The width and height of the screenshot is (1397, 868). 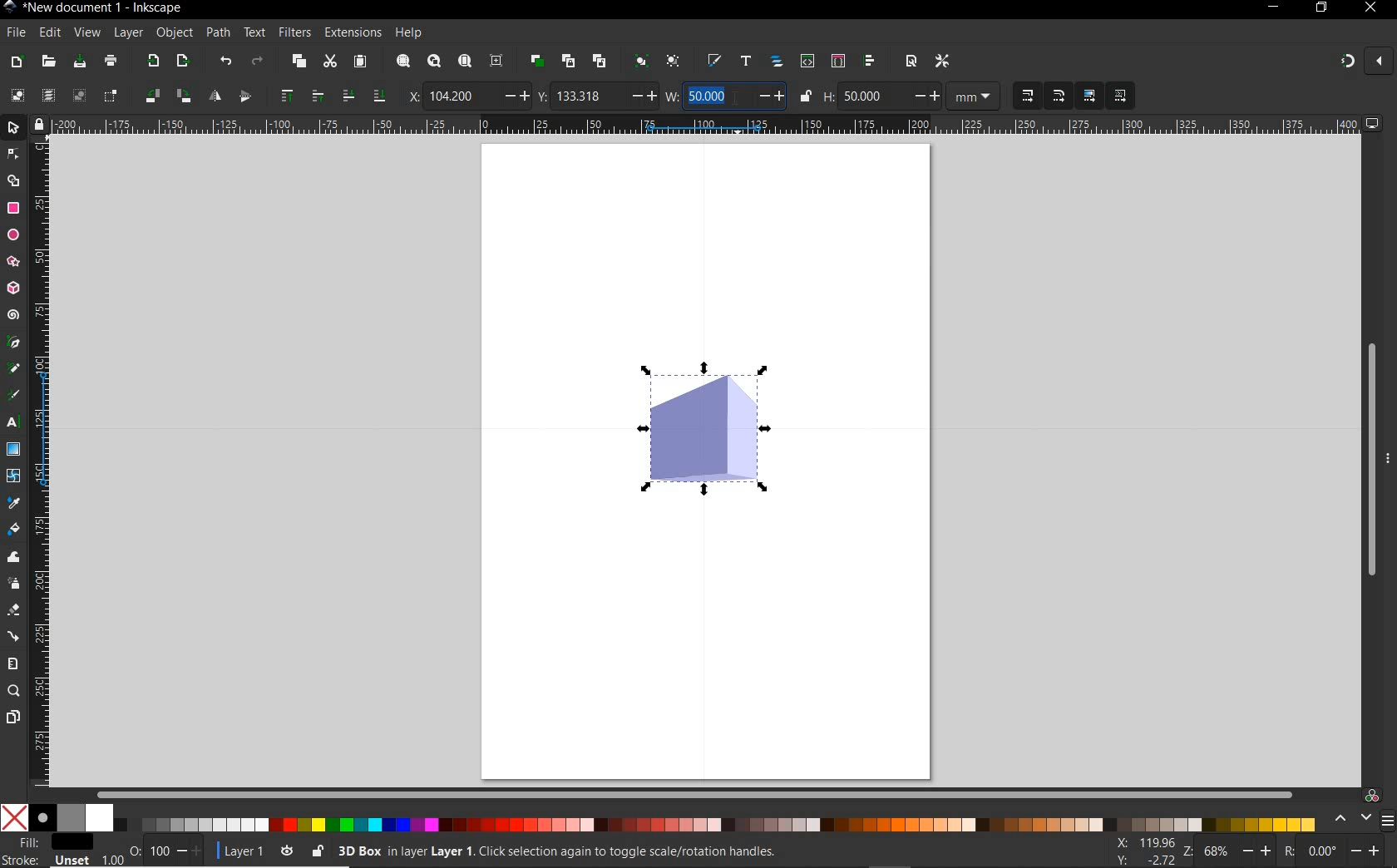 What do you see at coordinates (225, 61) in the screenshot?
I see `undo` at bounding box center [225, 61].